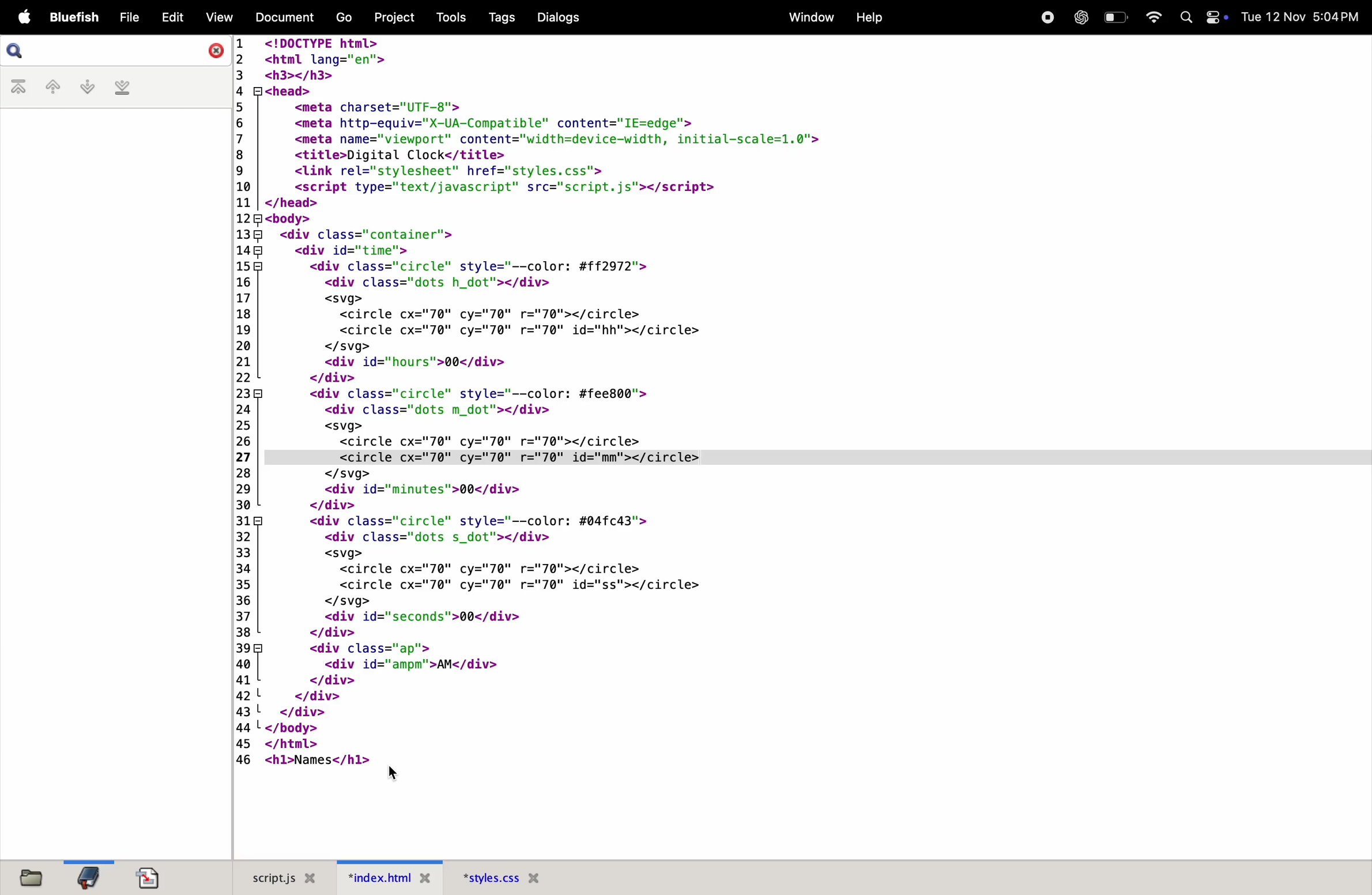 Image resolution: width=1372 pixels, height=895 pixels. Describe the element at coordinates (393, 18) in the screenshot. I see `project` at that location.